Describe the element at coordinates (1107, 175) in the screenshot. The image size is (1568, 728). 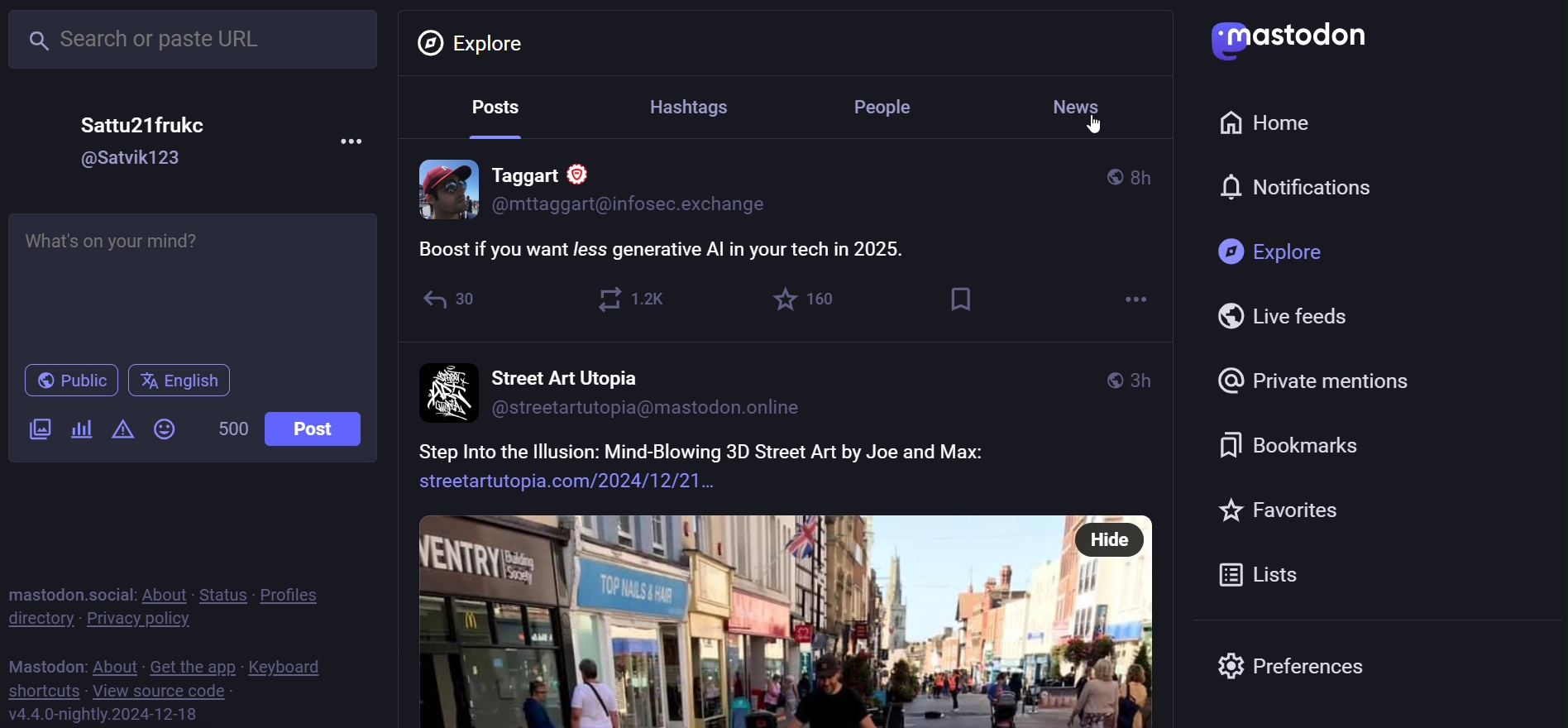
I see `public` at that location.